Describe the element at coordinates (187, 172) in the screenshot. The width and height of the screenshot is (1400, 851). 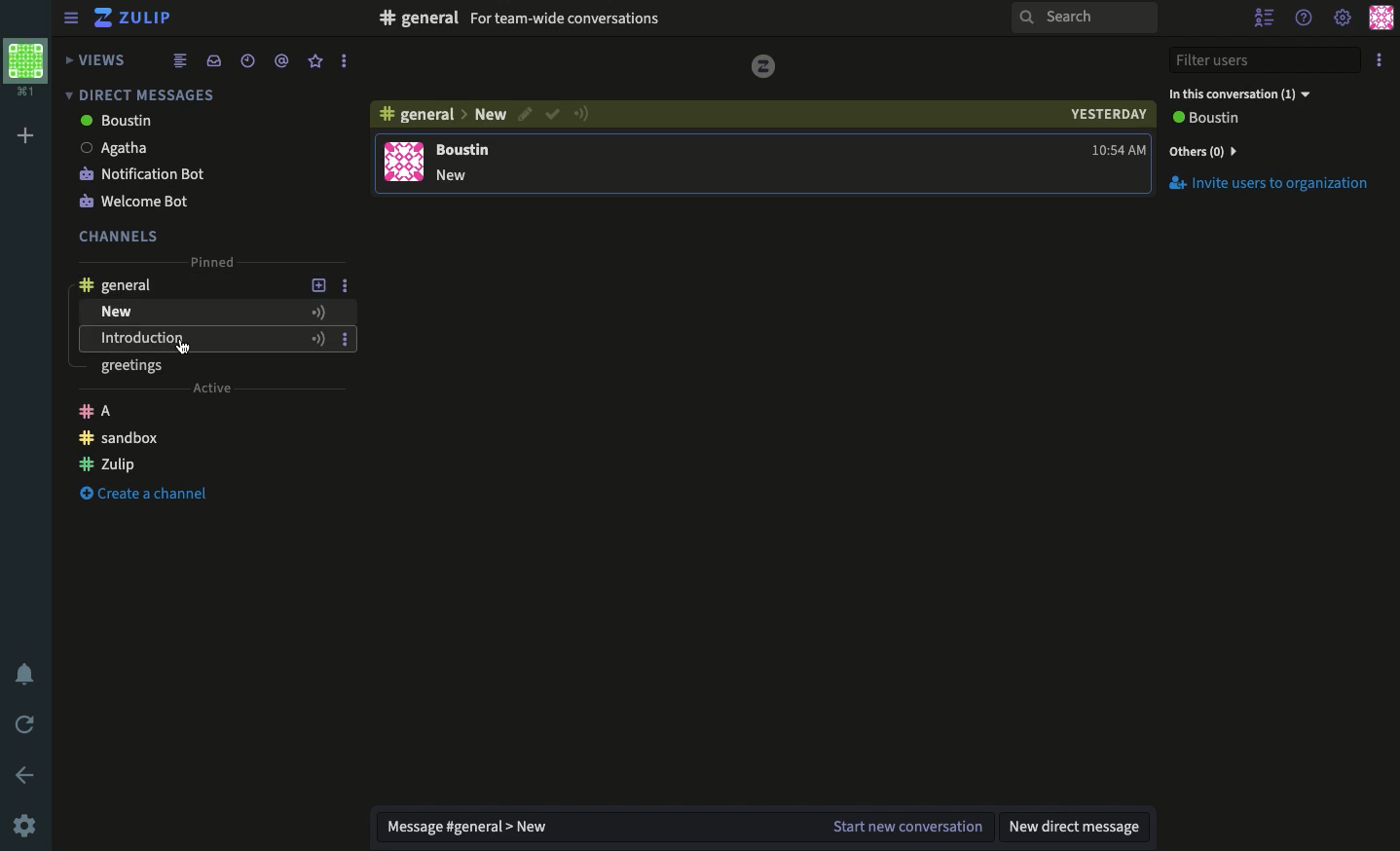
I see `Notification bot` at that location.